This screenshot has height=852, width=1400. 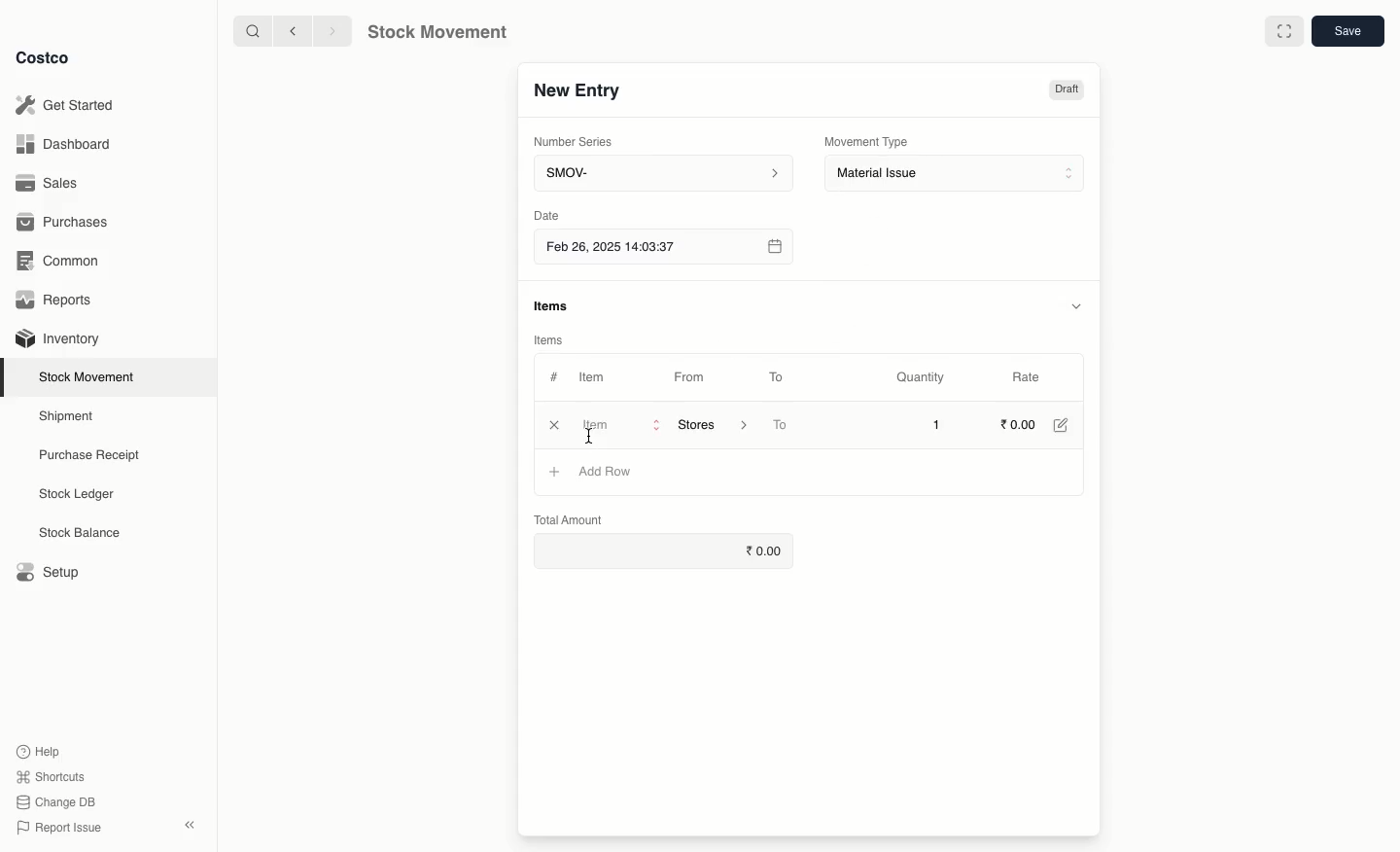 What do you see at coordinates (1066, 427) in the screenshot?
I see `Edit` at bounding box center [1066, 427].